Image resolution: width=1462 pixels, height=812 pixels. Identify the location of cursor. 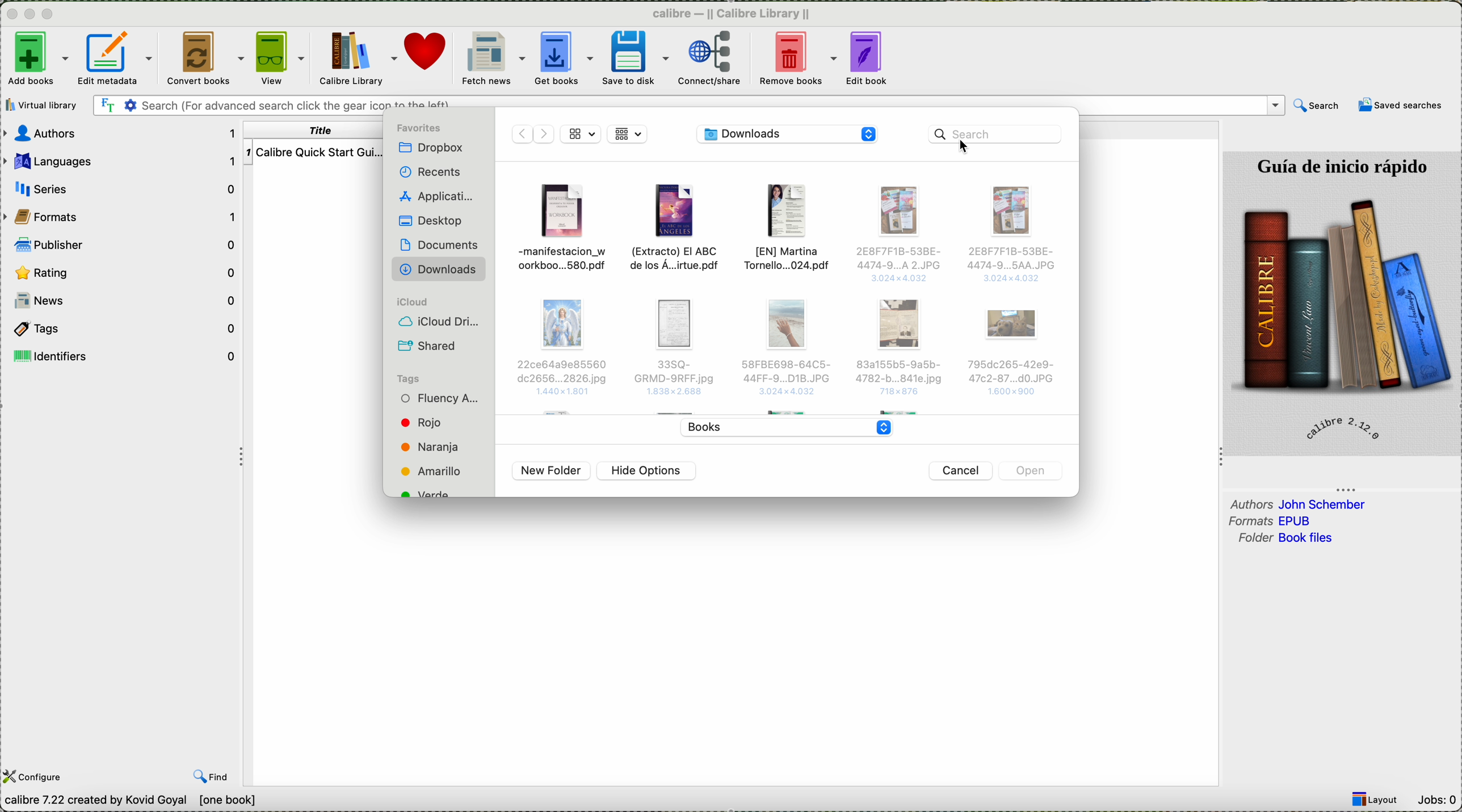
(965, 150).